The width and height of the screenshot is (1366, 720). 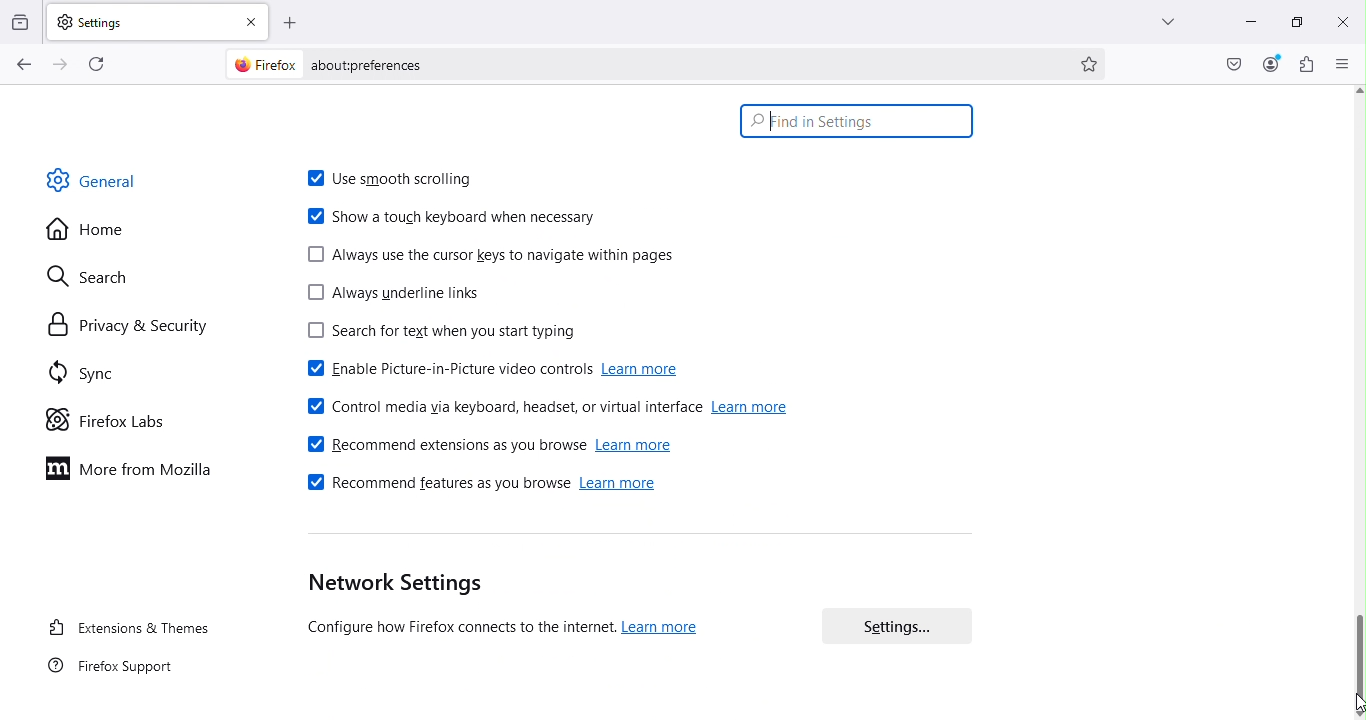 What do you see at coordinates (554, 409) in the screenshot?
I see `Control media via keyboard, headset, or virtual interface` at bounding box center [554, 409].